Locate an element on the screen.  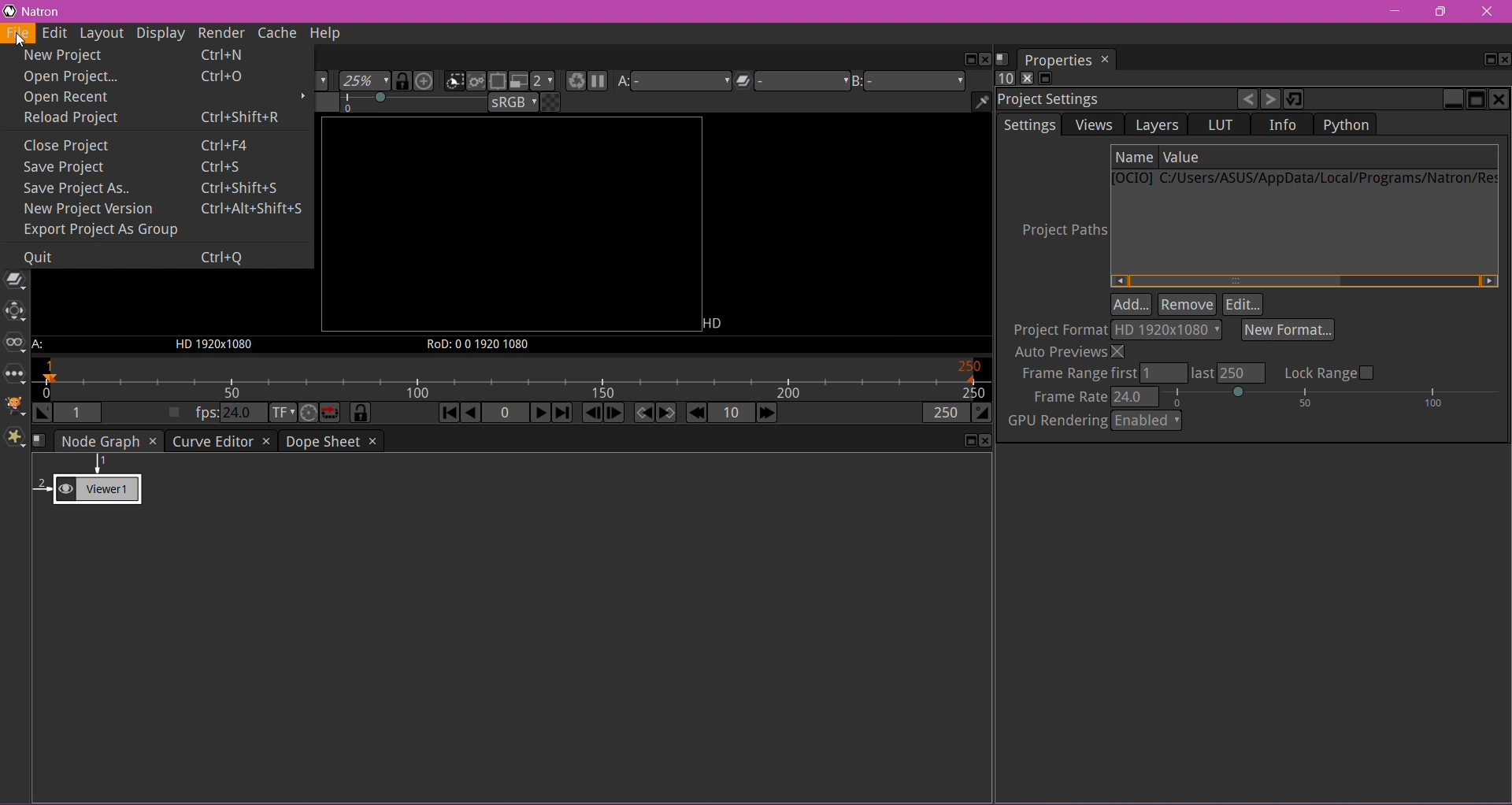
Set the playback out point at the current point  is located at coordinates (982, 414).